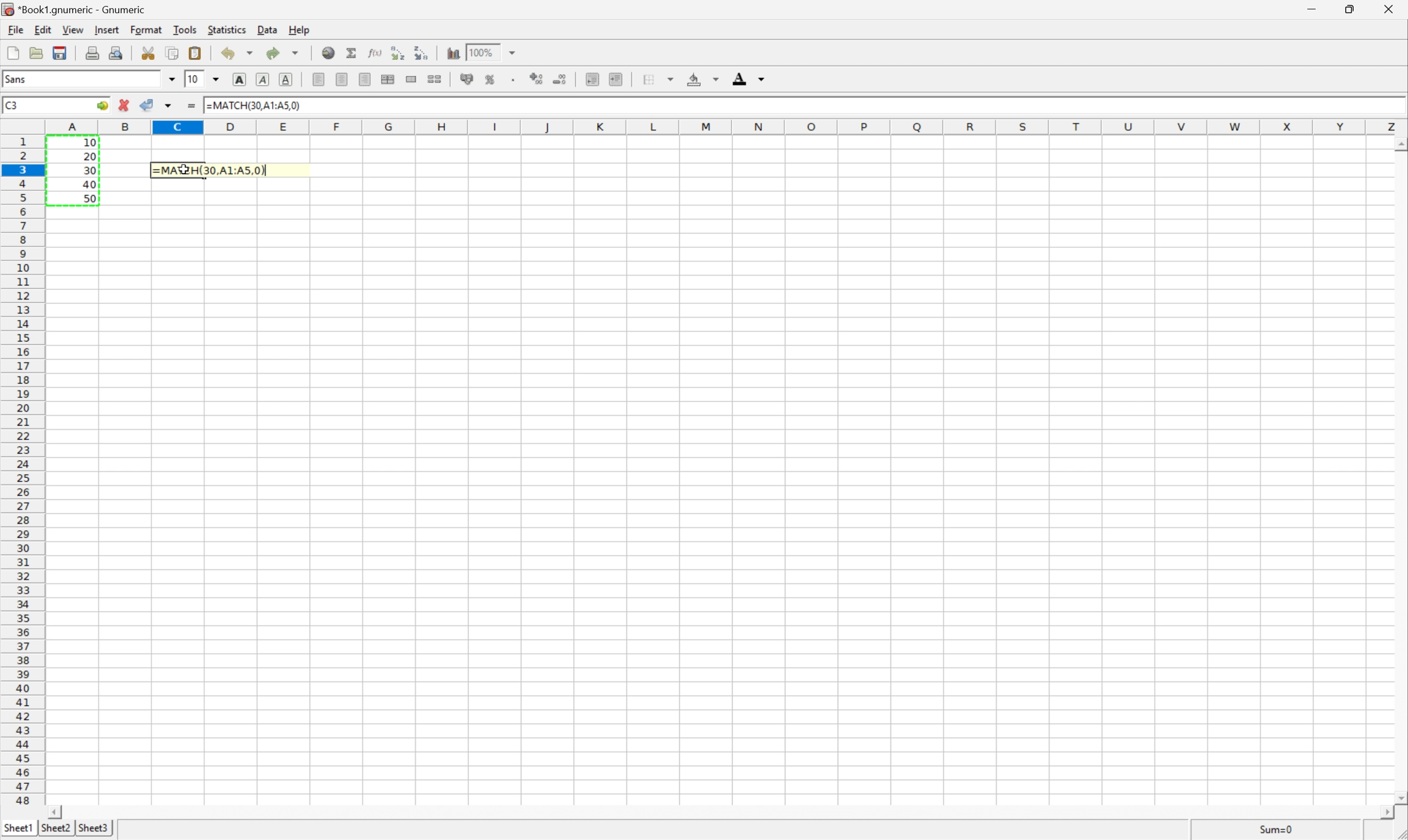 Image resolution: width=1408 pixels, height=840 pixels. I want to click on View, so click(74, 30).